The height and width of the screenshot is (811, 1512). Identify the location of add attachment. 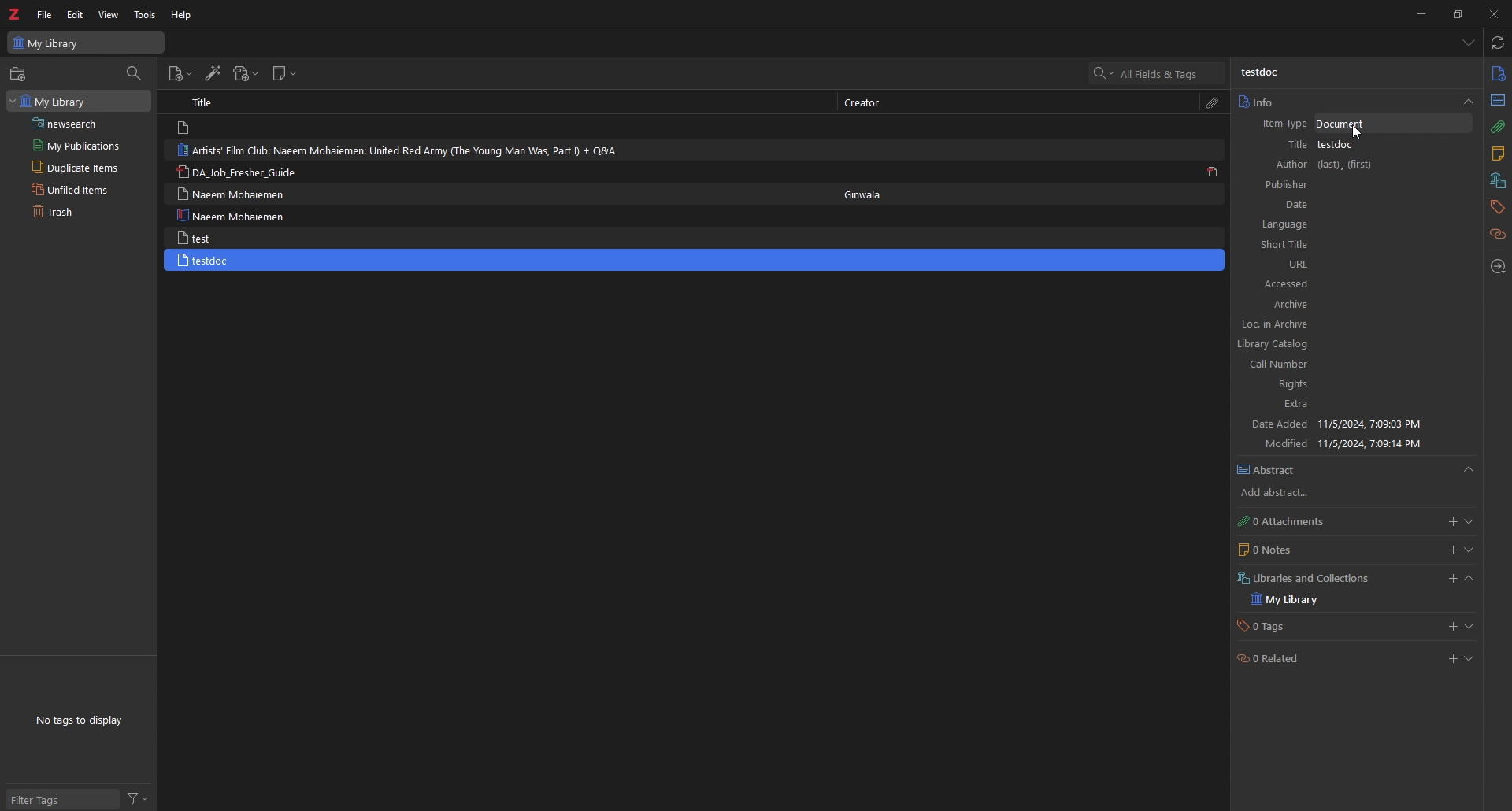
(1449, 523).